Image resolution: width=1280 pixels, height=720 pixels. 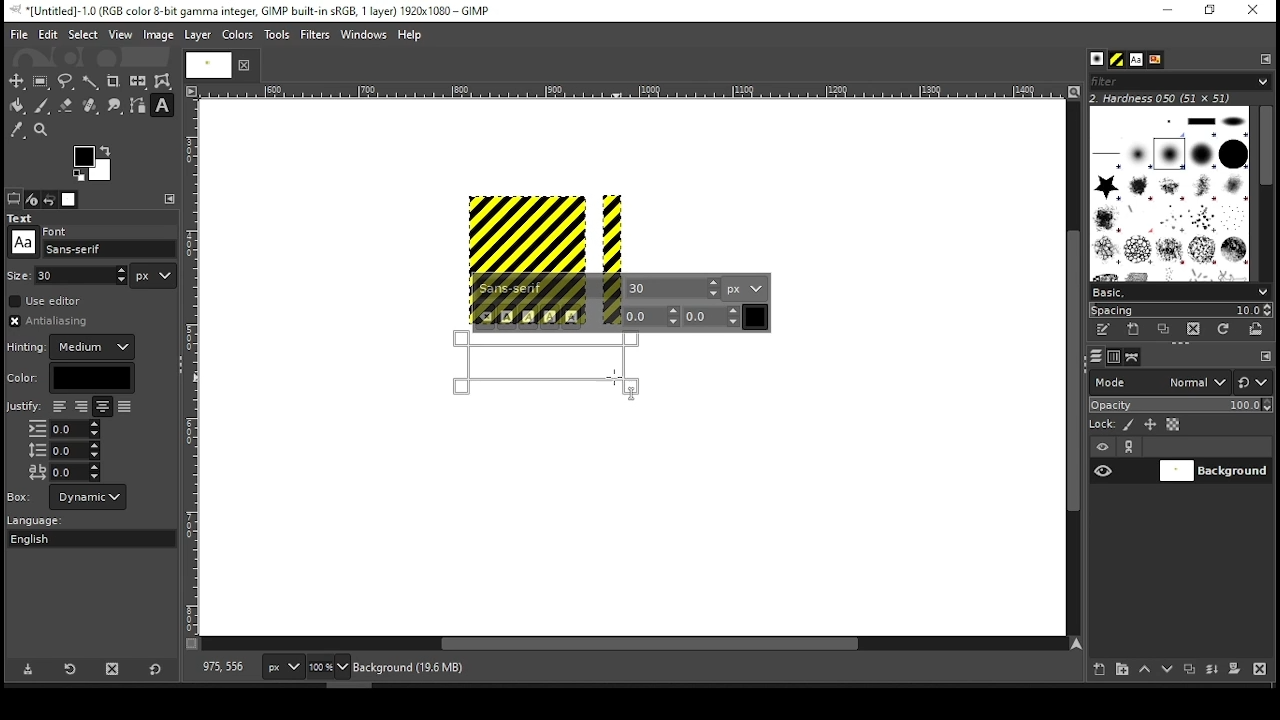 What do you see at coordinates (16, 132) in the screenshot?
I see `color picker tool` at bounding box center [16, 132].